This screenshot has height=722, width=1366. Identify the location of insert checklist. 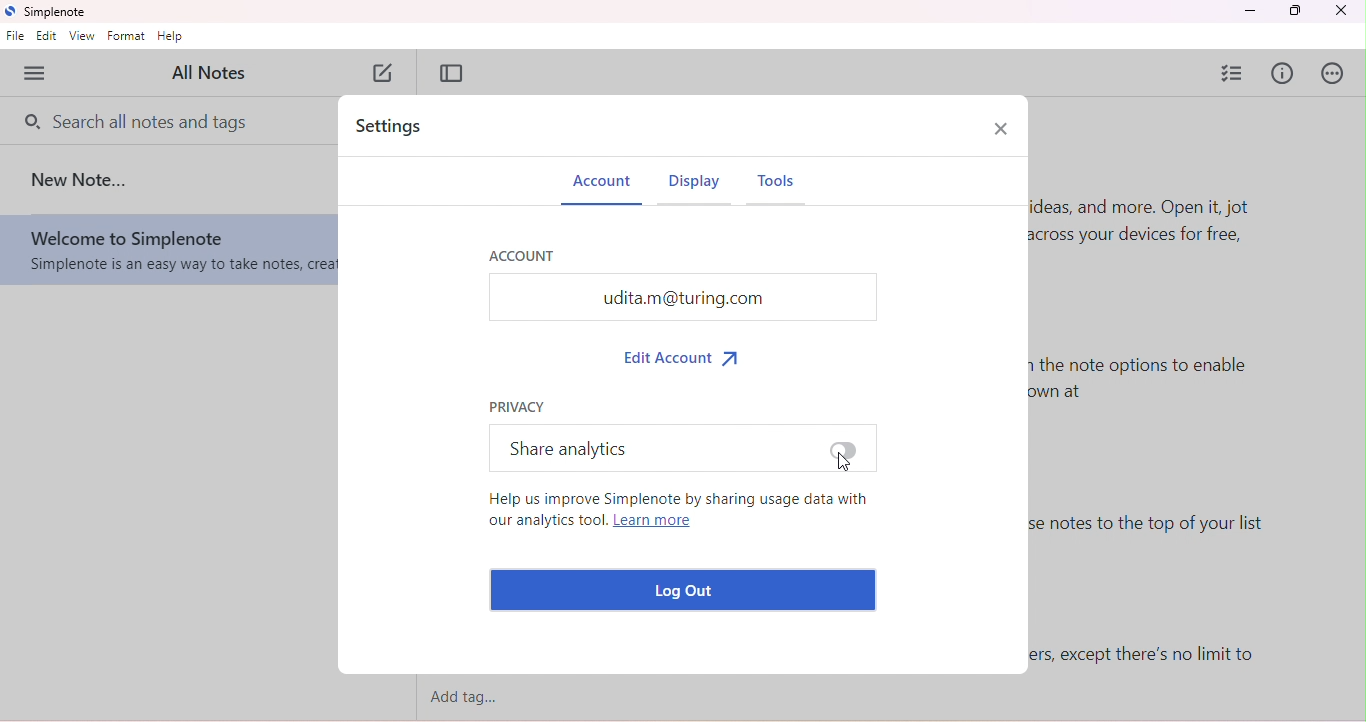
(1234, 72).